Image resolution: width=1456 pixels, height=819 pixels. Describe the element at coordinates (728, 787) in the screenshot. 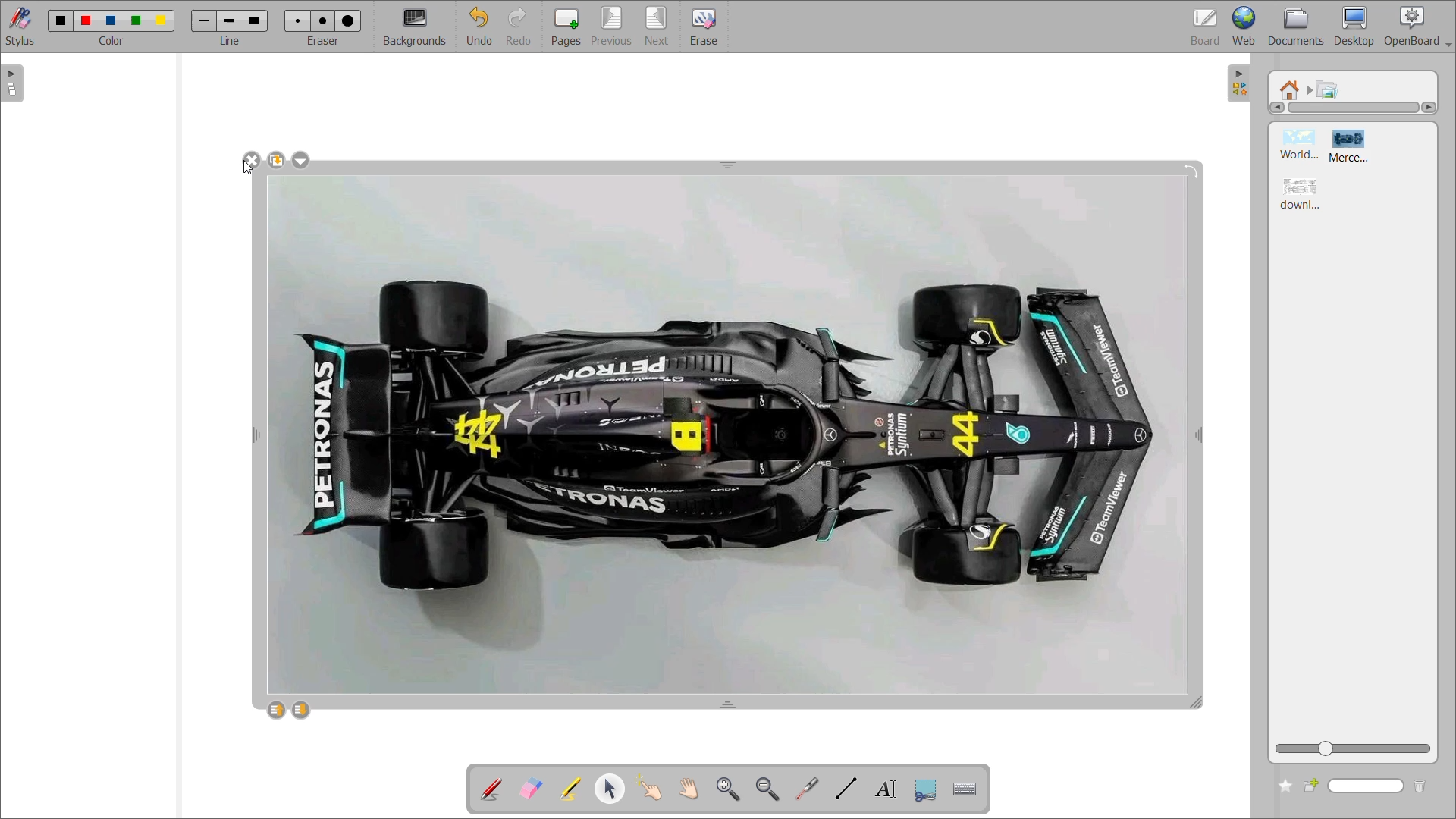

I see `zoom in` at that location.